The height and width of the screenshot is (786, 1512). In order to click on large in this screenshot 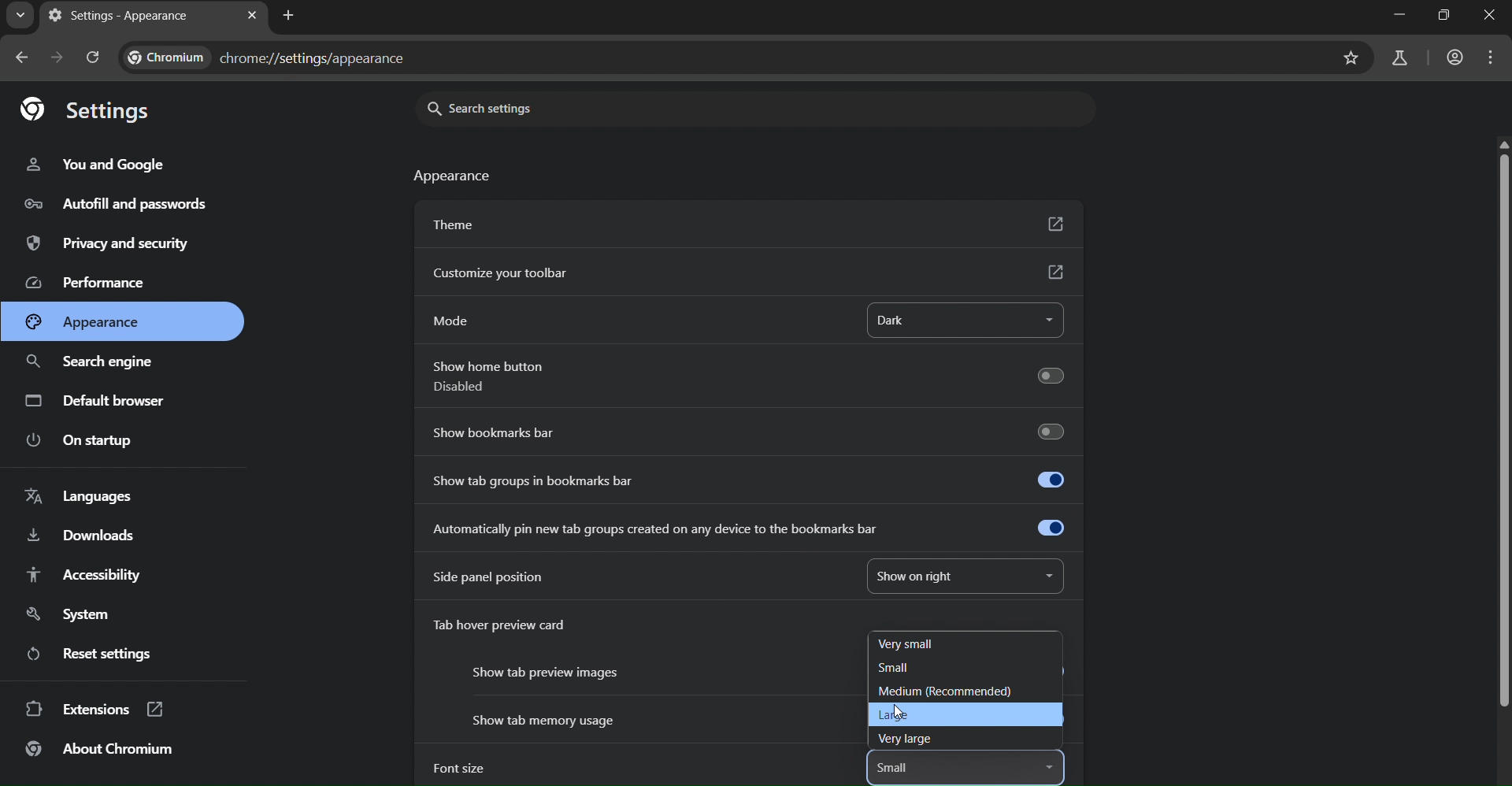, I will do `click(904, 717)`.